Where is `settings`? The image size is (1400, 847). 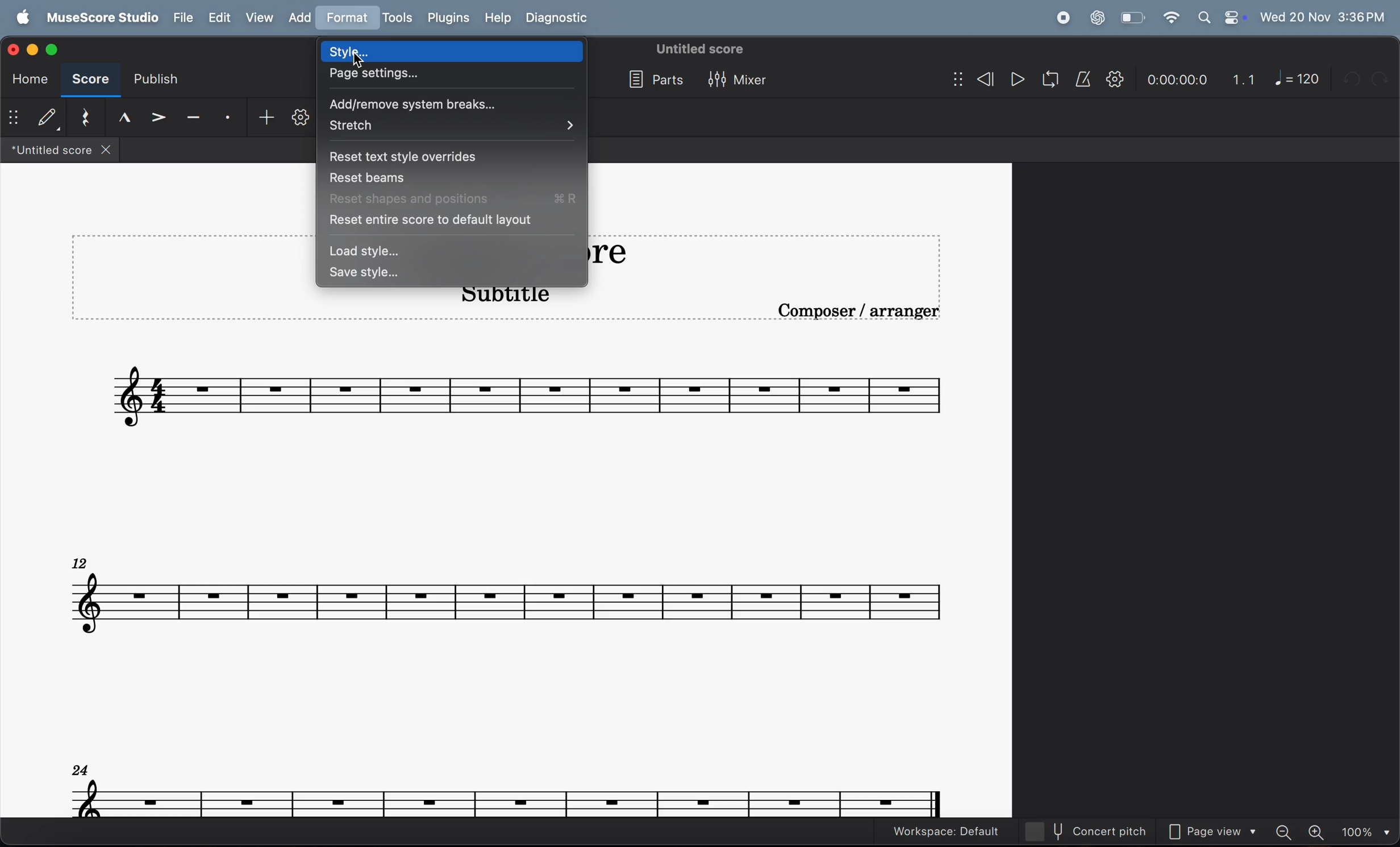 settings is located at coordinates (1115, 80).